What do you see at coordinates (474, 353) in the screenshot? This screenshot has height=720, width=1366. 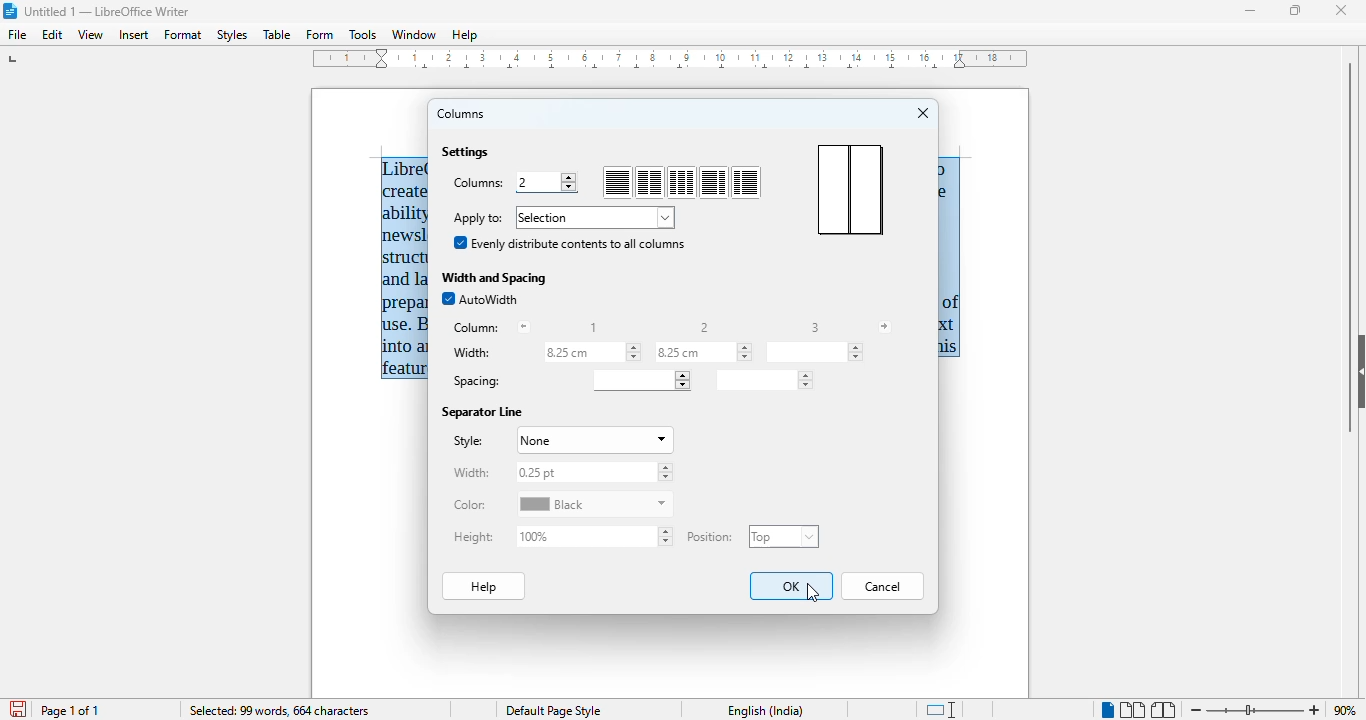 I see `width` at bounding box center [474, 353].